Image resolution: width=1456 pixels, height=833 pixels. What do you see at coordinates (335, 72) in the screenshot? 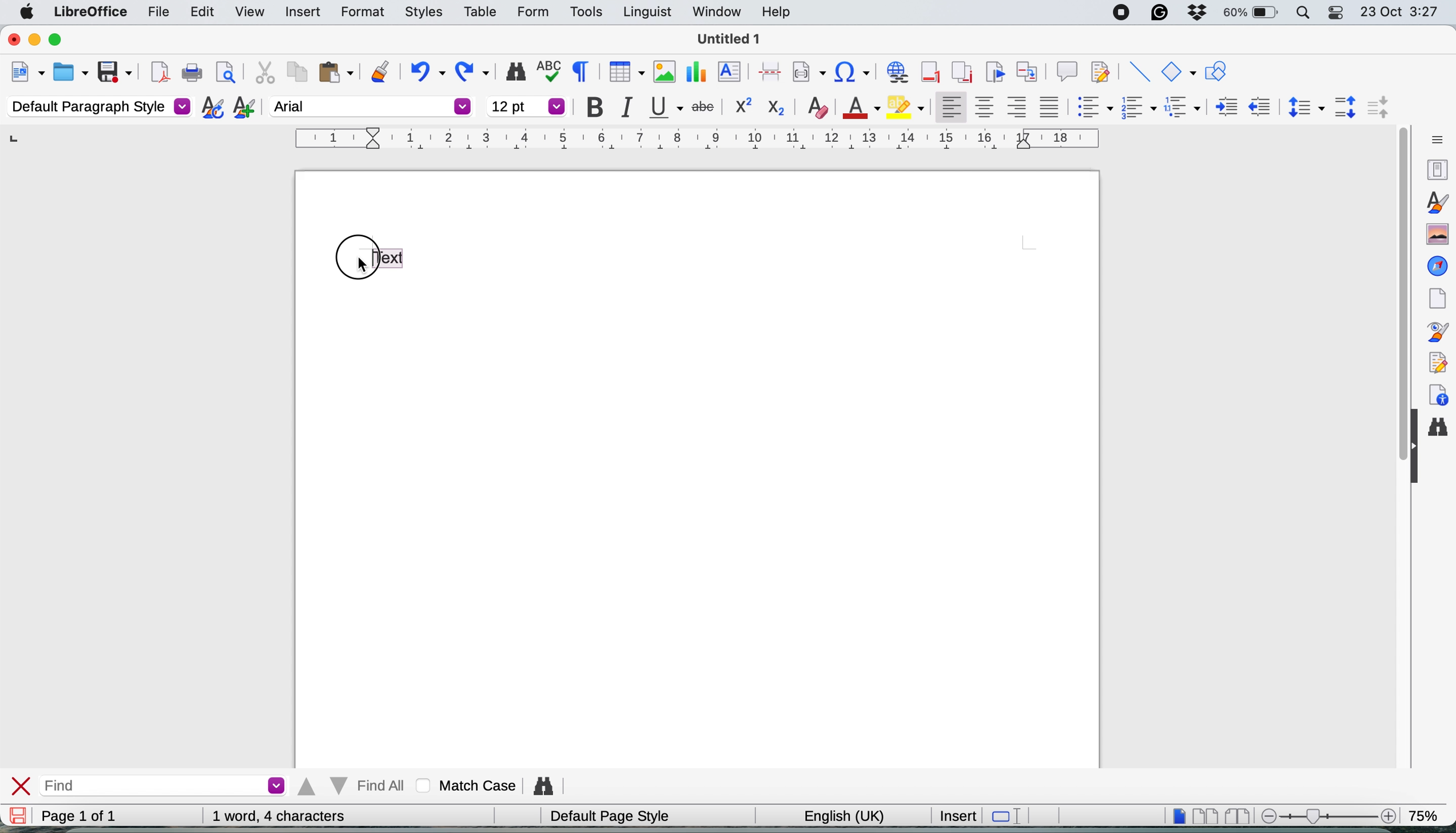
I see `paste` at bounding box center [335, 72].